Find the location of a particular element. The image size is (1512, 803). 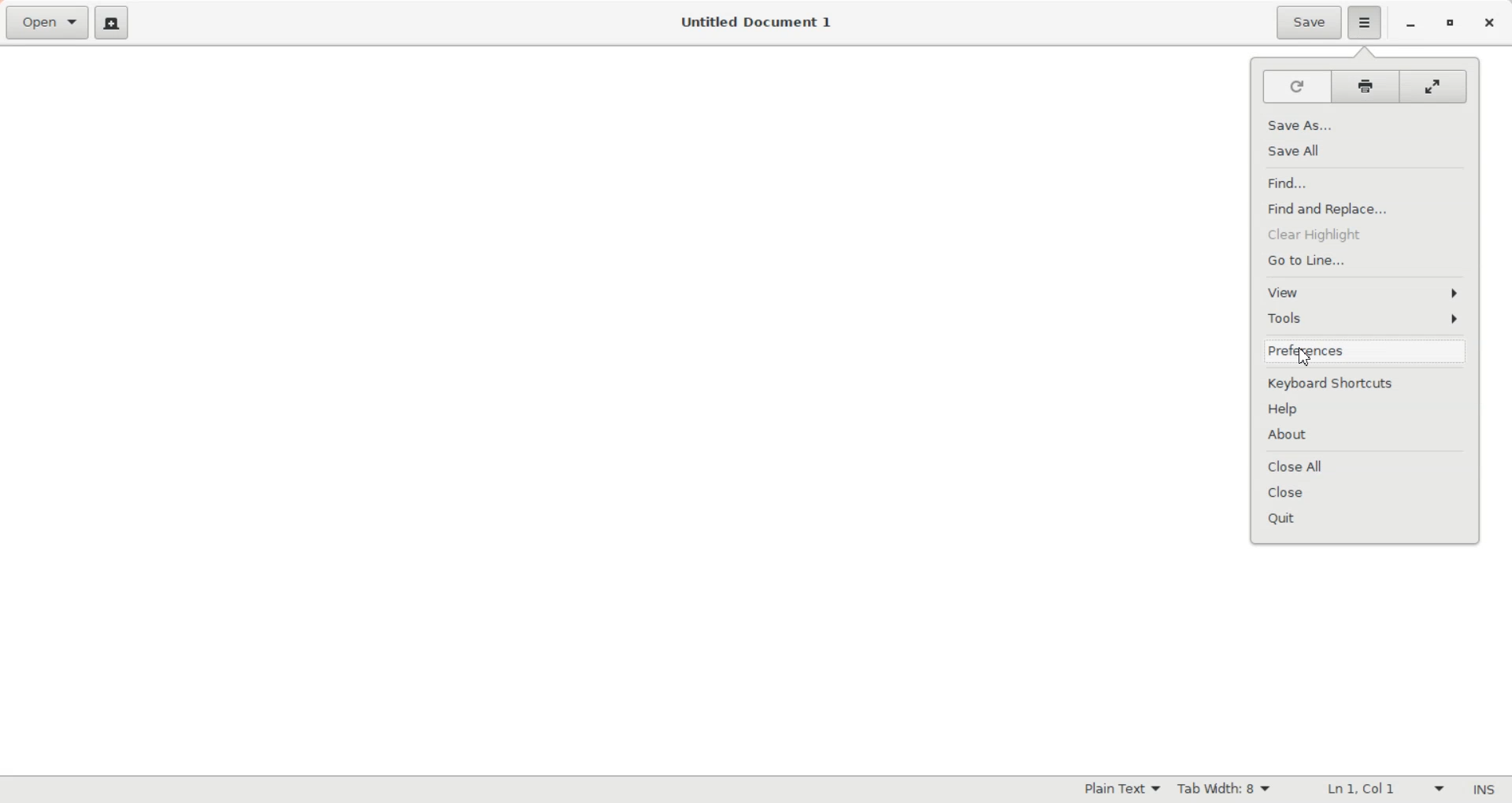

Help is located at coordinates (1367, 409).